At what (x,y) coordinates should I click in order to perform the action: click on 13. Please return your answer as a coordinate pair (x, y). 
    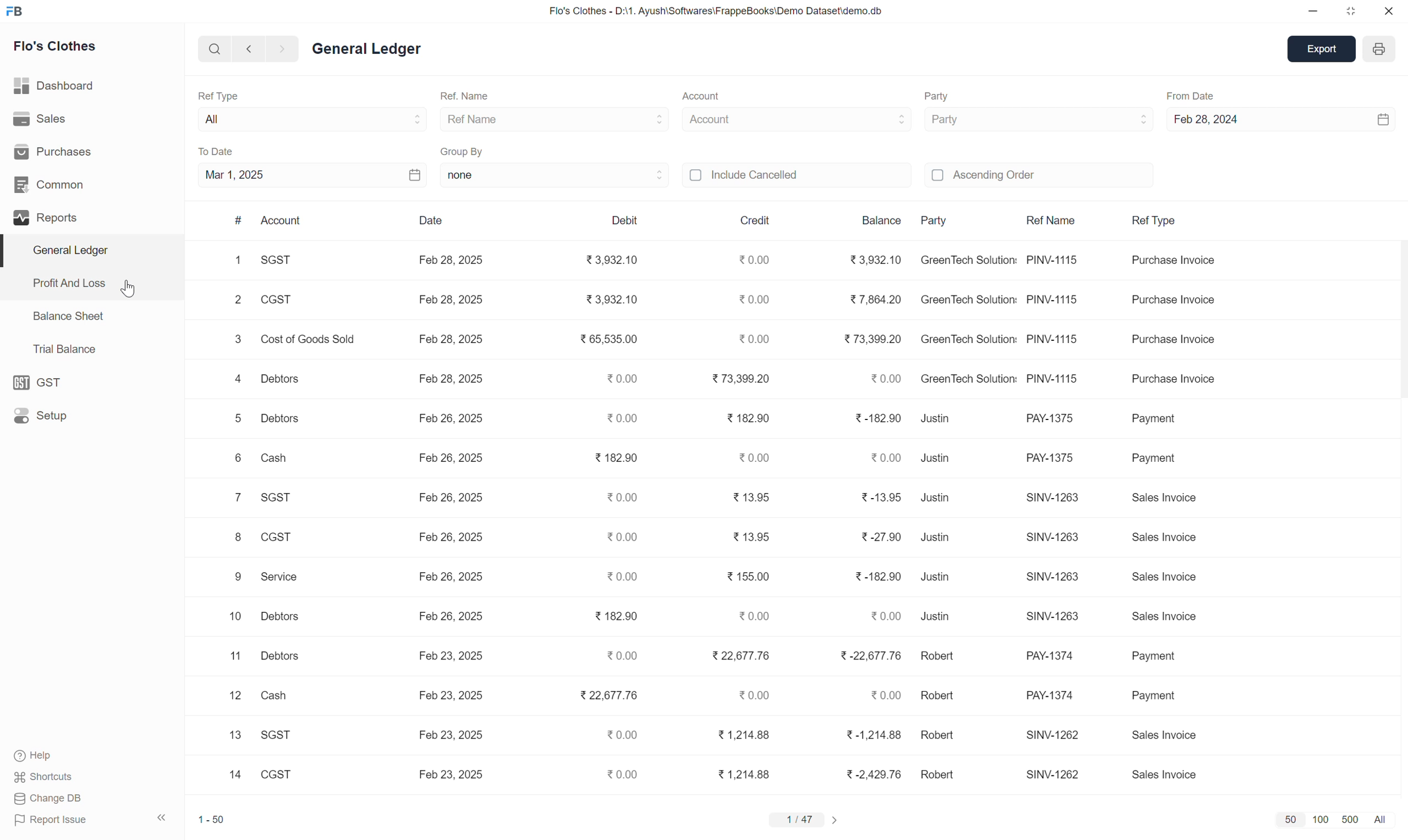
    Looking at the image, I should click on (232, 737).